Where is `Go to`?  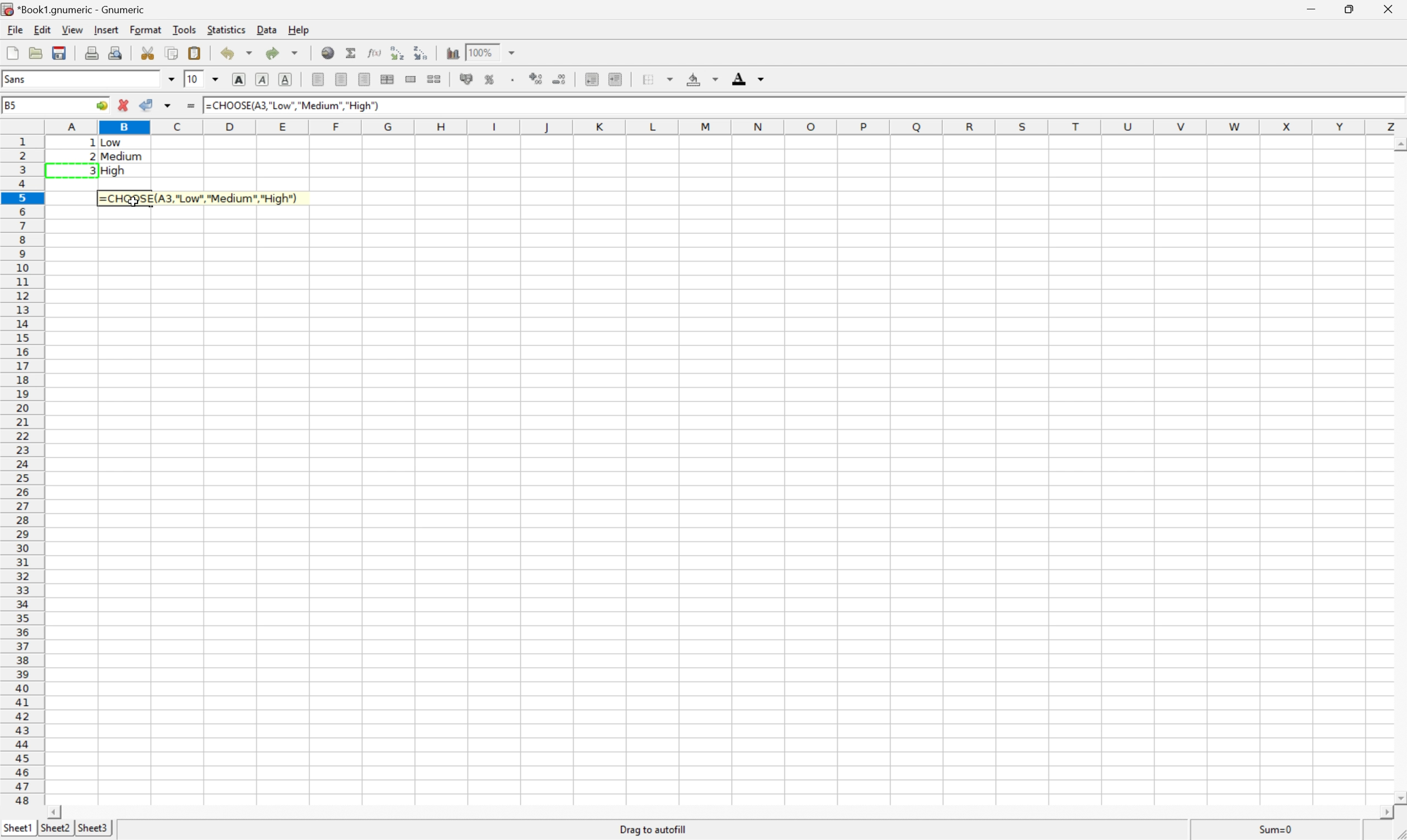
Go to is located at coordinates (100, 106).